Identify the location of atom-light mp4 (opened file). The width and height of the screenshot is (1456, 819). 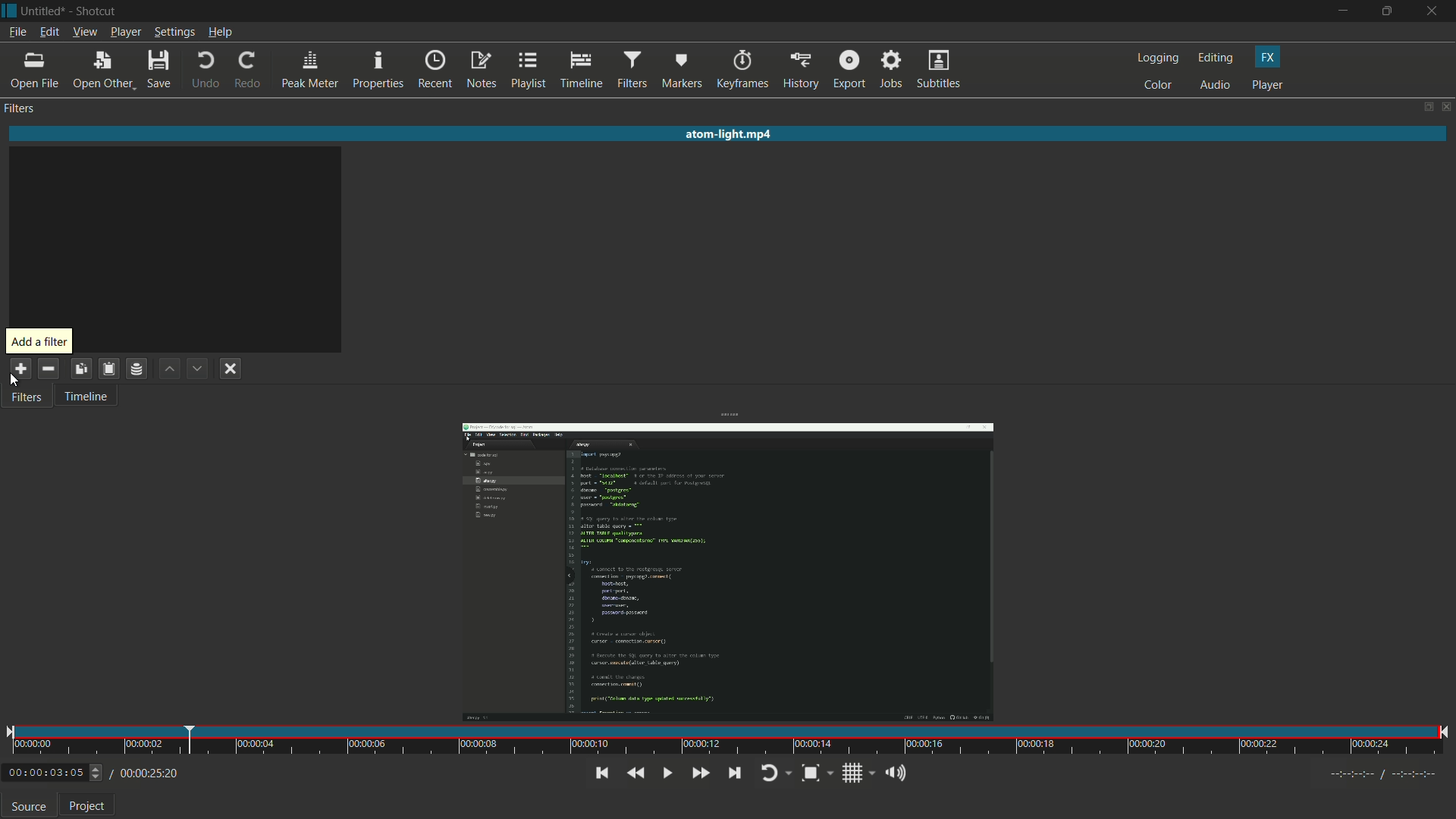
(733, 132).